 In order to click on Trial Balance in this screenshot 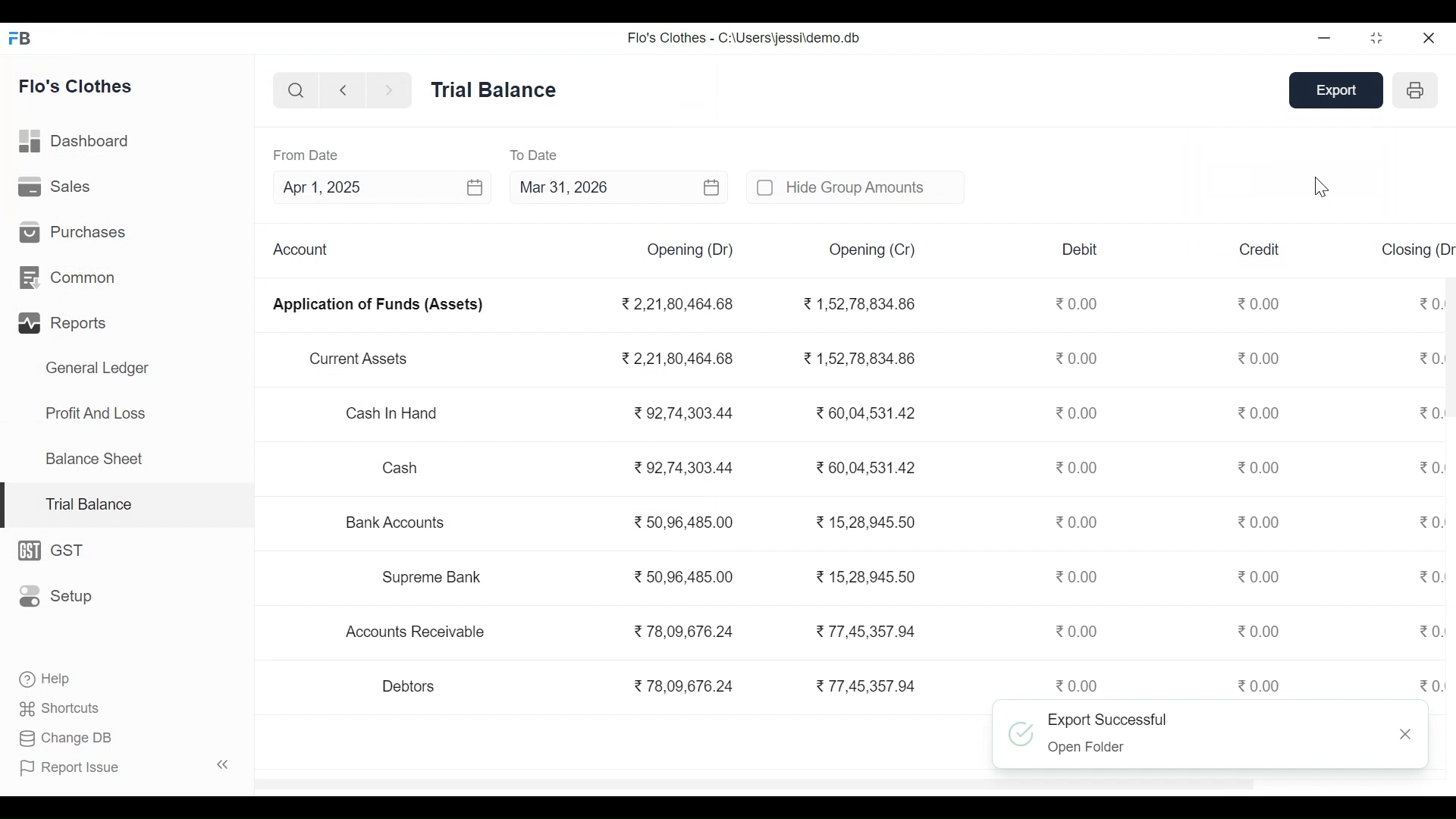, I will do `click(495, 89)`.